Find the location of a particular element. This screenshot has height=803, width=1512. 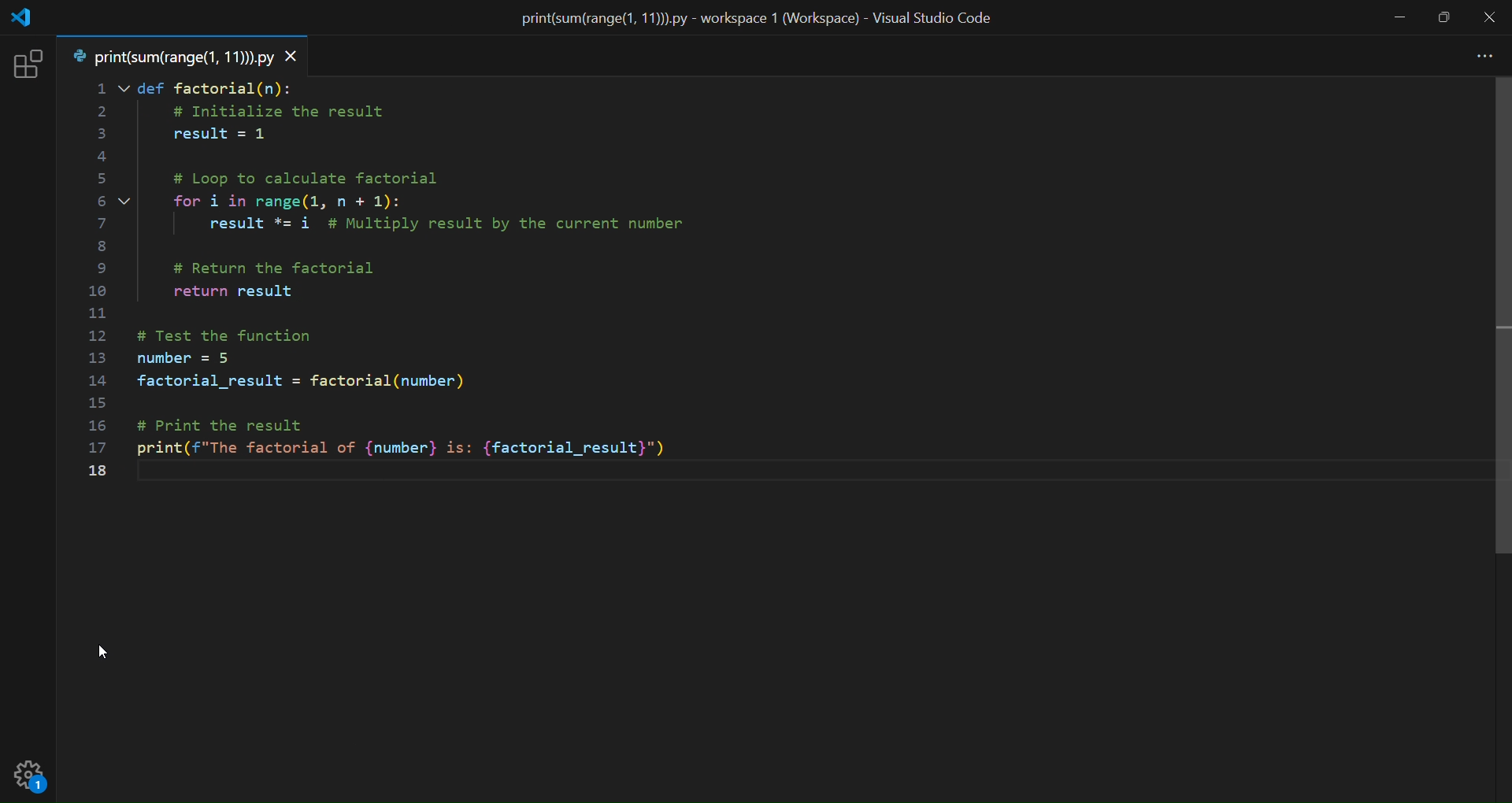

minimize is located at coordinates (1399, 18).